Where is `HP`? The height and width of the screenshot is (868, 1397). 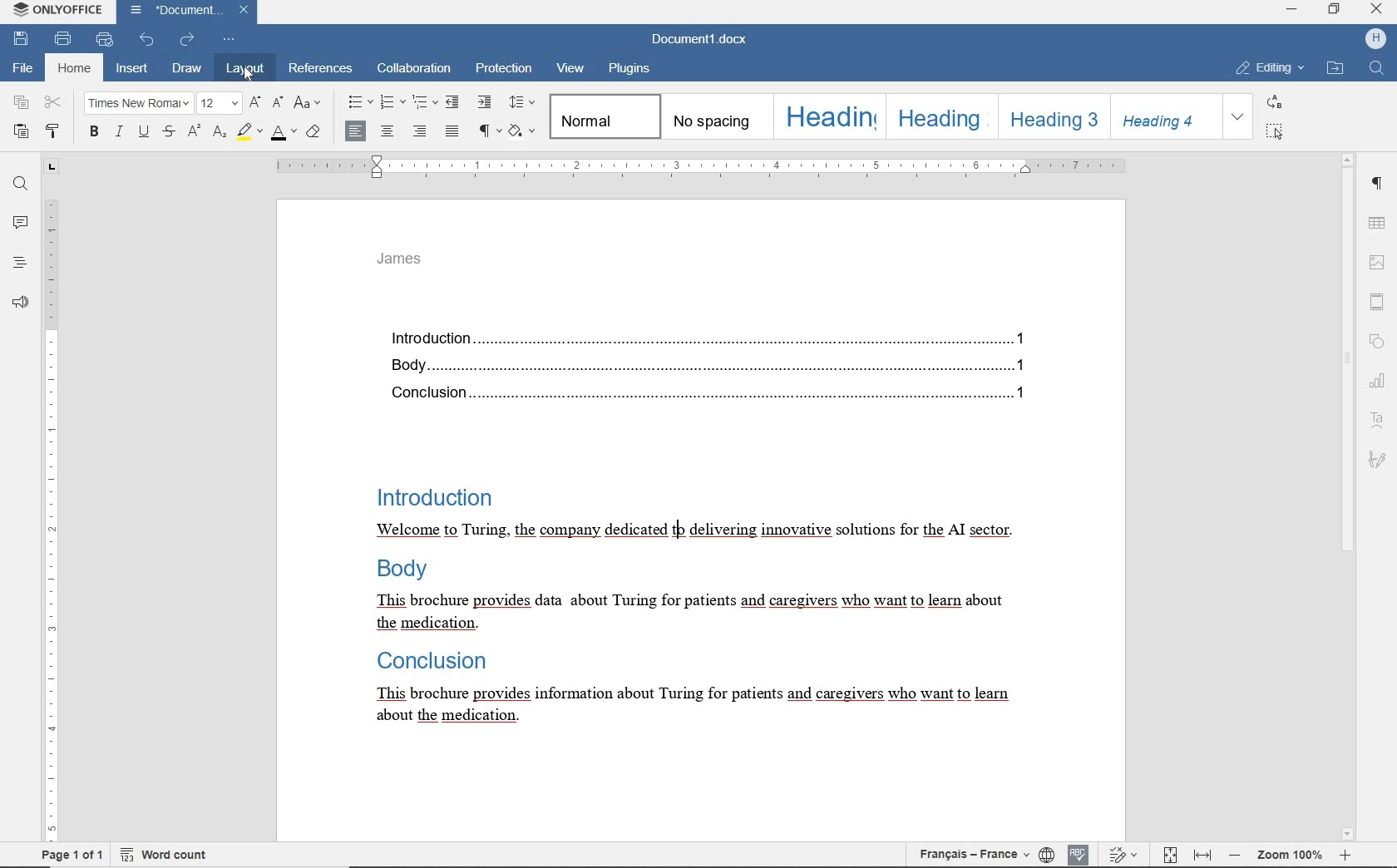 HP is located at coordinates (1375, 40).